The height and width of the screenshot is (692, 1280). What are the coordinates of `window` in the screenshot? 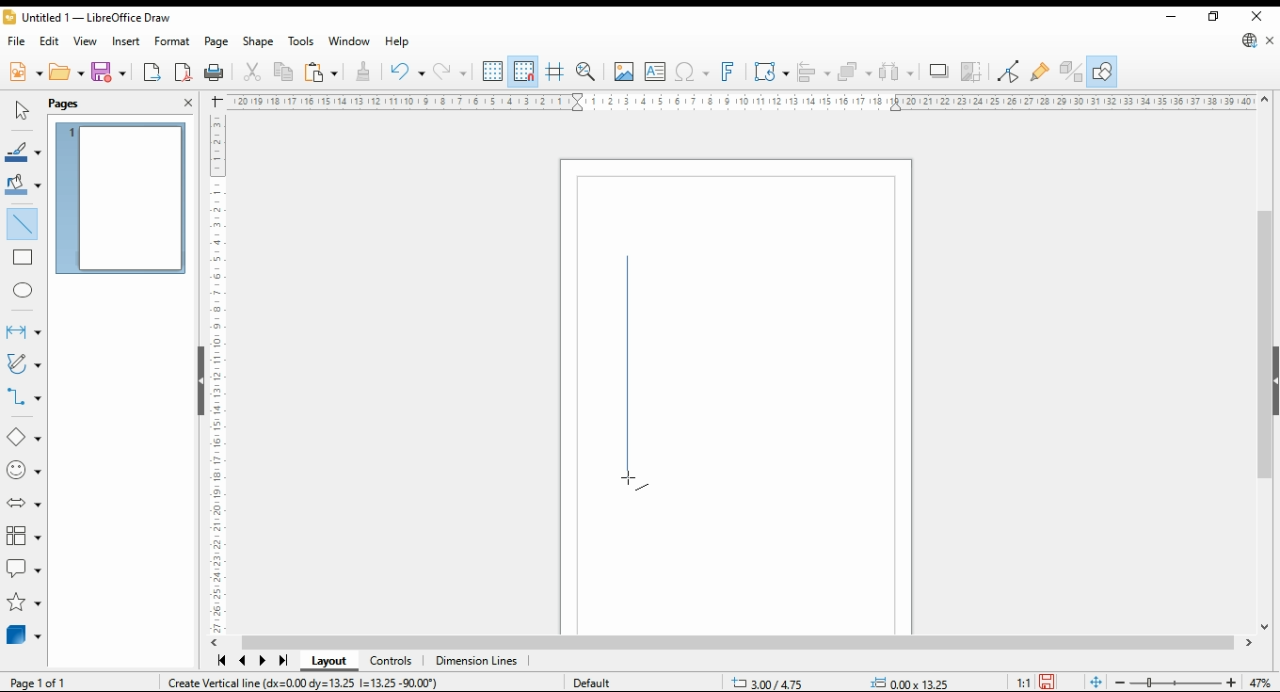 It's located at (348, 42).